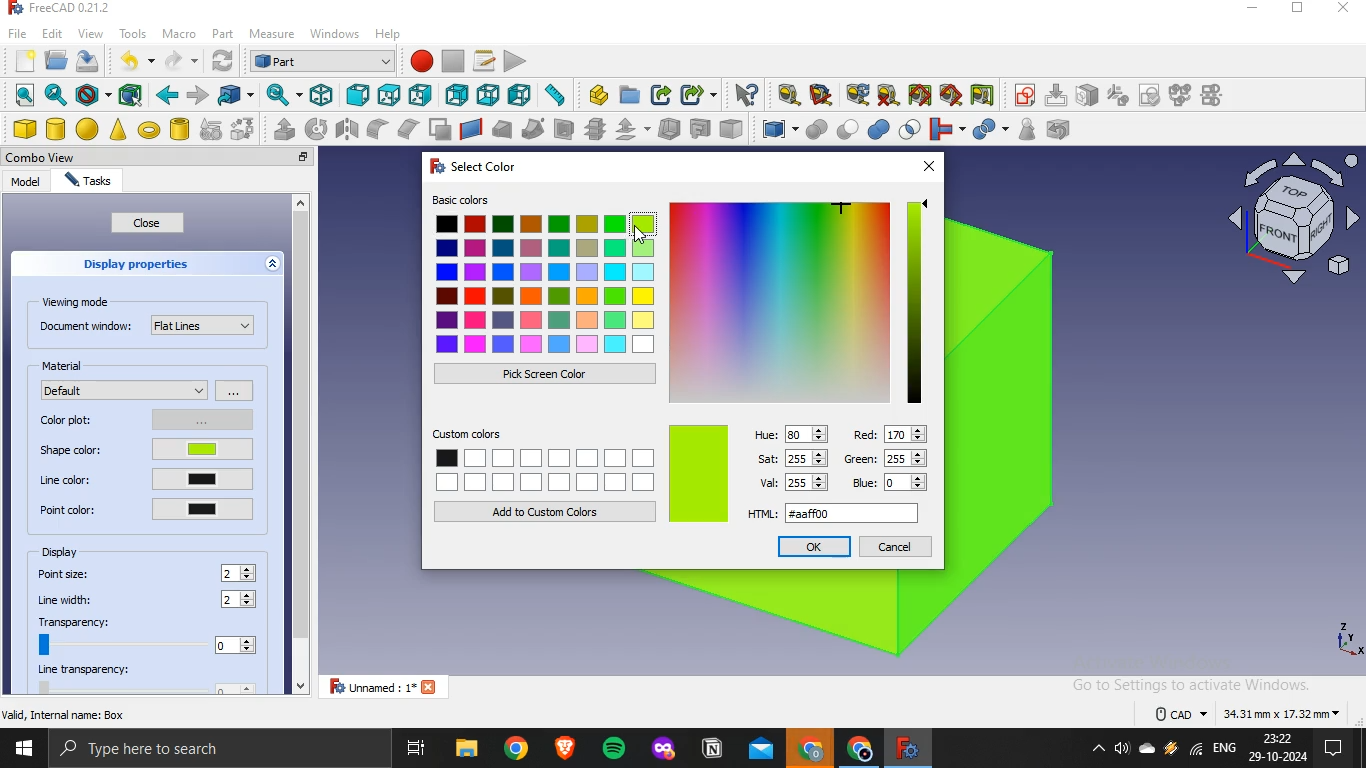 The height and width of the screenshot is (768, 1366). I want to click on image, so click(800, 300).